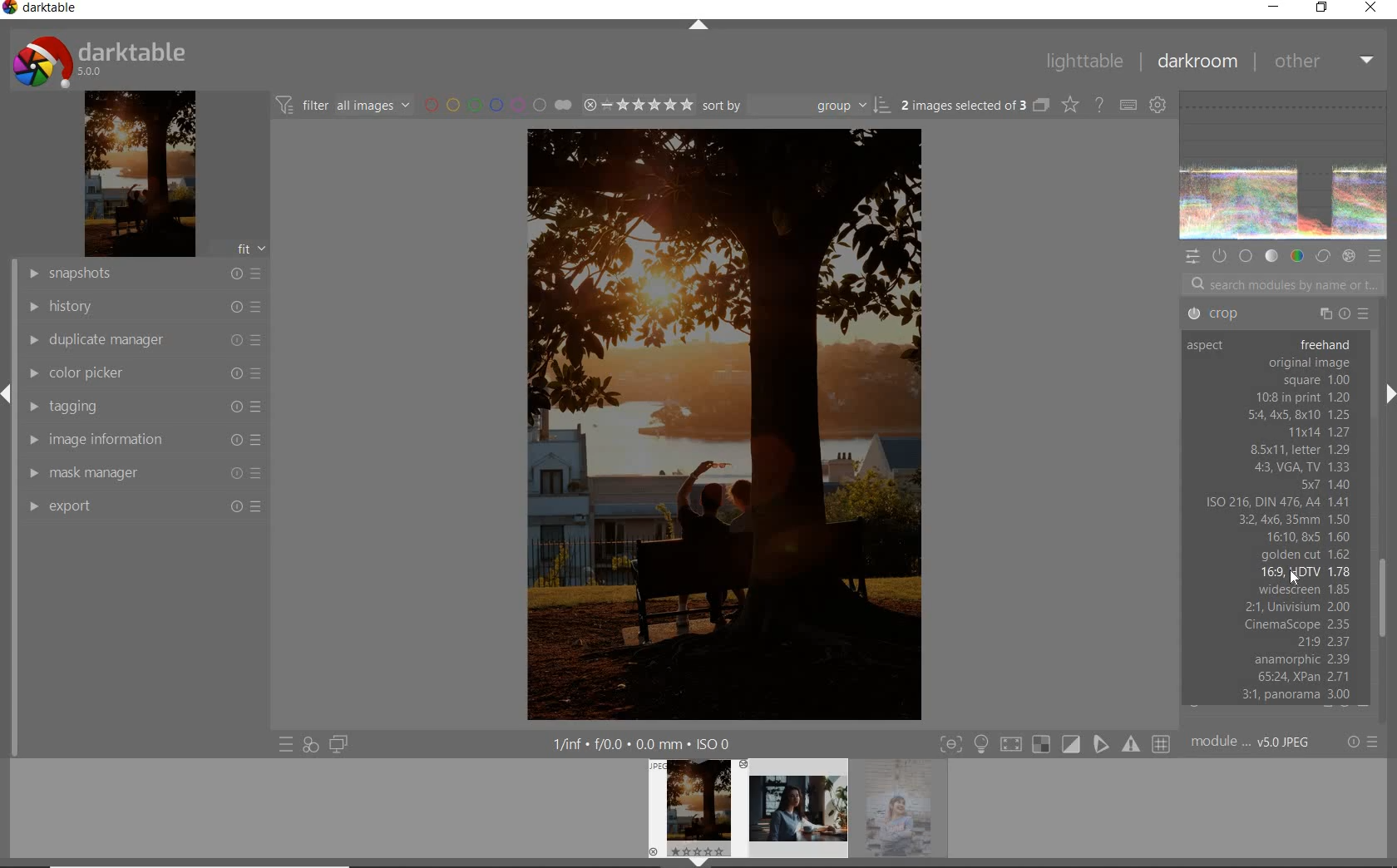 Image resolution: width=1397 pixels, height=868 pixels. I want to click on 2:1, Univisium, so click(1295, 607).